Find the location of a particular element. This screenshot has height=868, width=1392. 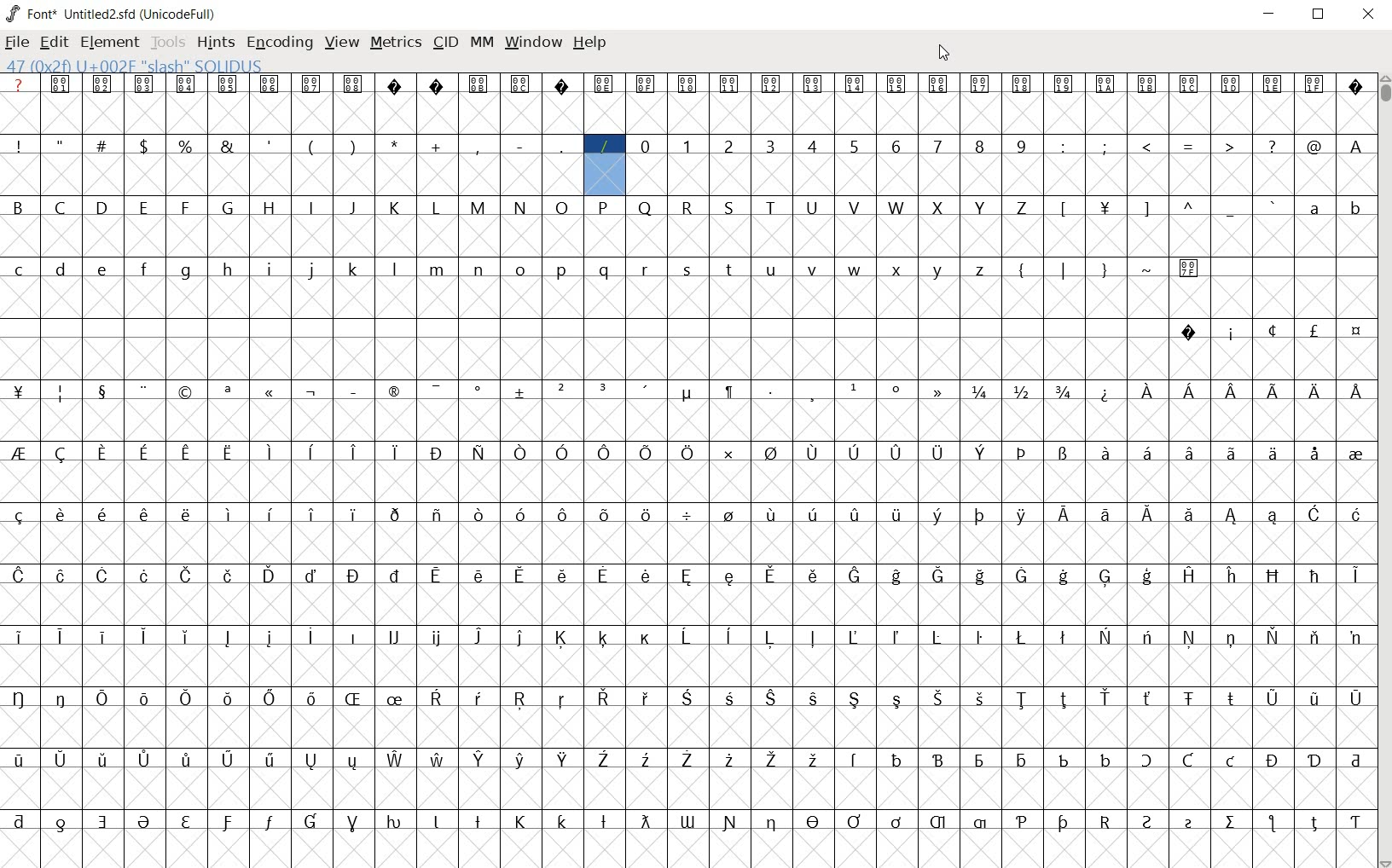

glyph is located at coordinates (814, 269).